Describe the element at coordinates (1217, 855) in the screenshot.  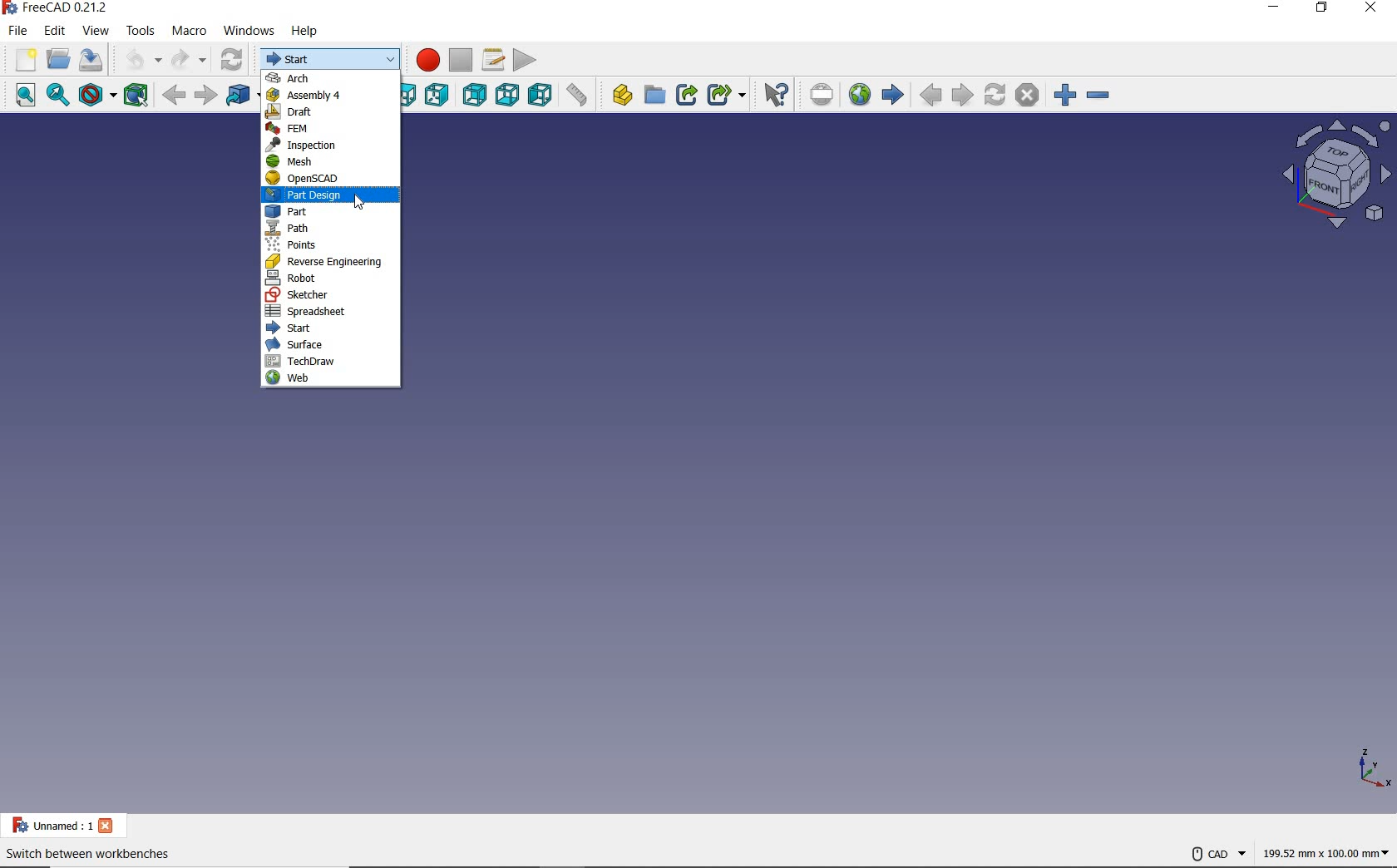
I see `CAD NAVIGATION STYLE` at that location.